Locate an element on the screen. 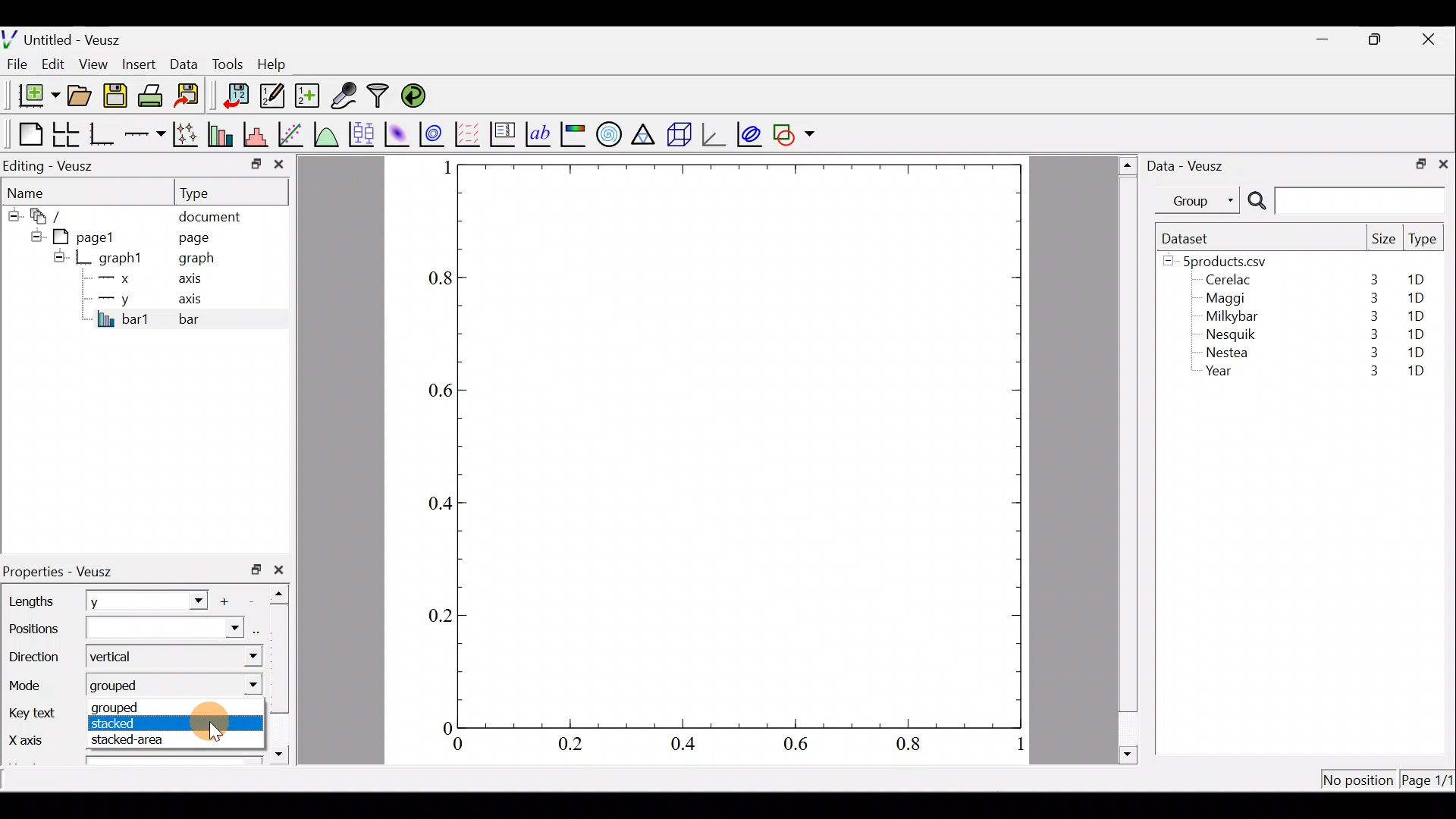 The image size is (1456, 819). plot covariance ellipses is located at coordinates (751, 133).